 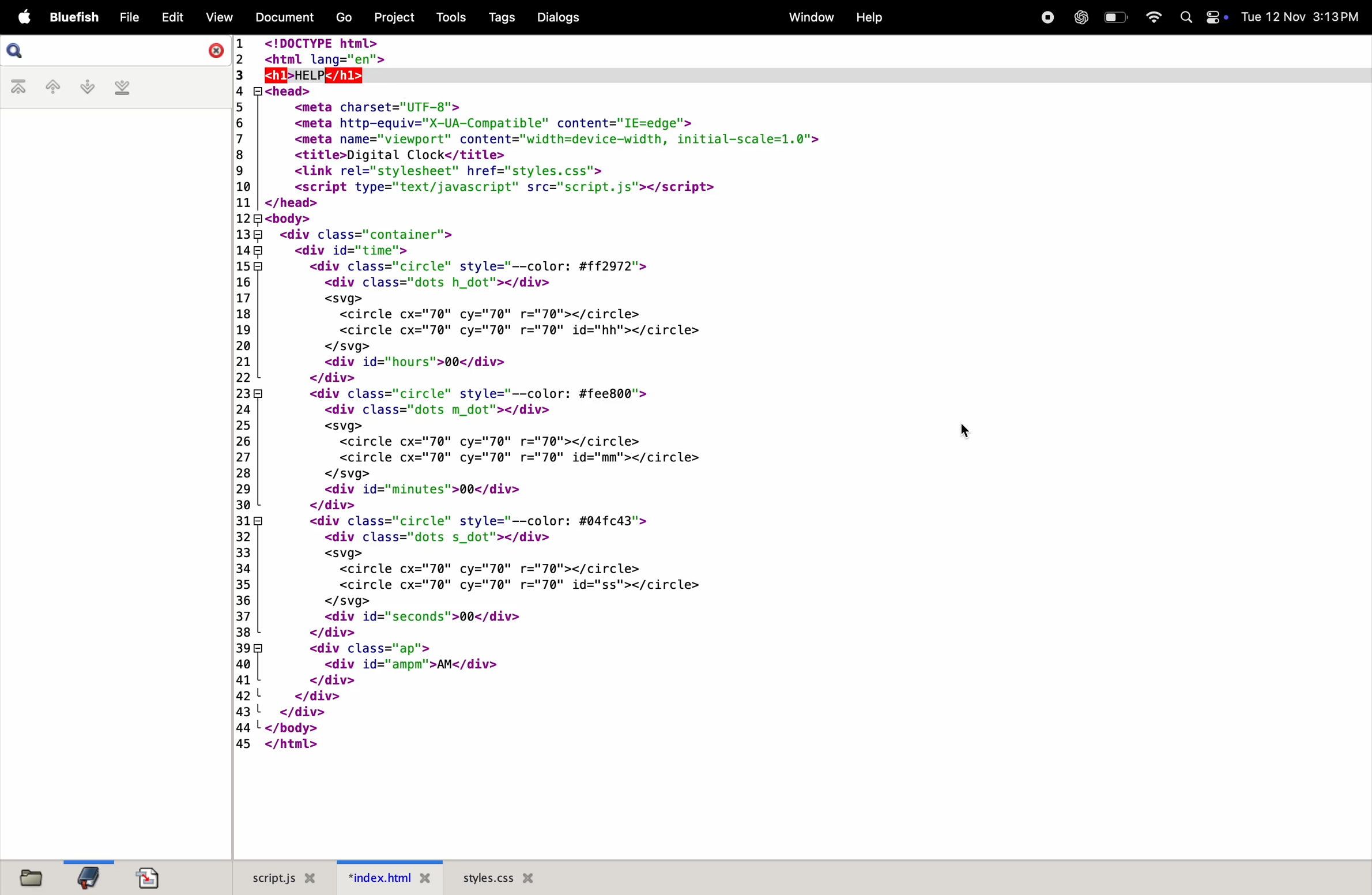 I want to click on record, so click(x=1045, y=16).